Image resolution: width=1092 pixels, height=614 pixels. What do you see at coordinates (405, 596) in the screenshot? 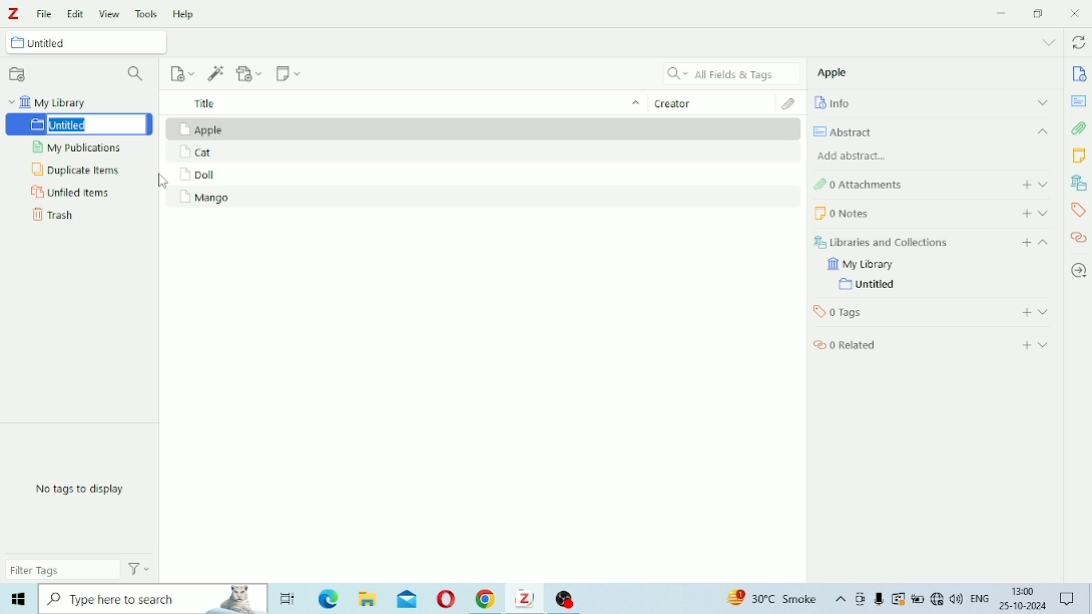
I see `` at bounding box center [405, 596].